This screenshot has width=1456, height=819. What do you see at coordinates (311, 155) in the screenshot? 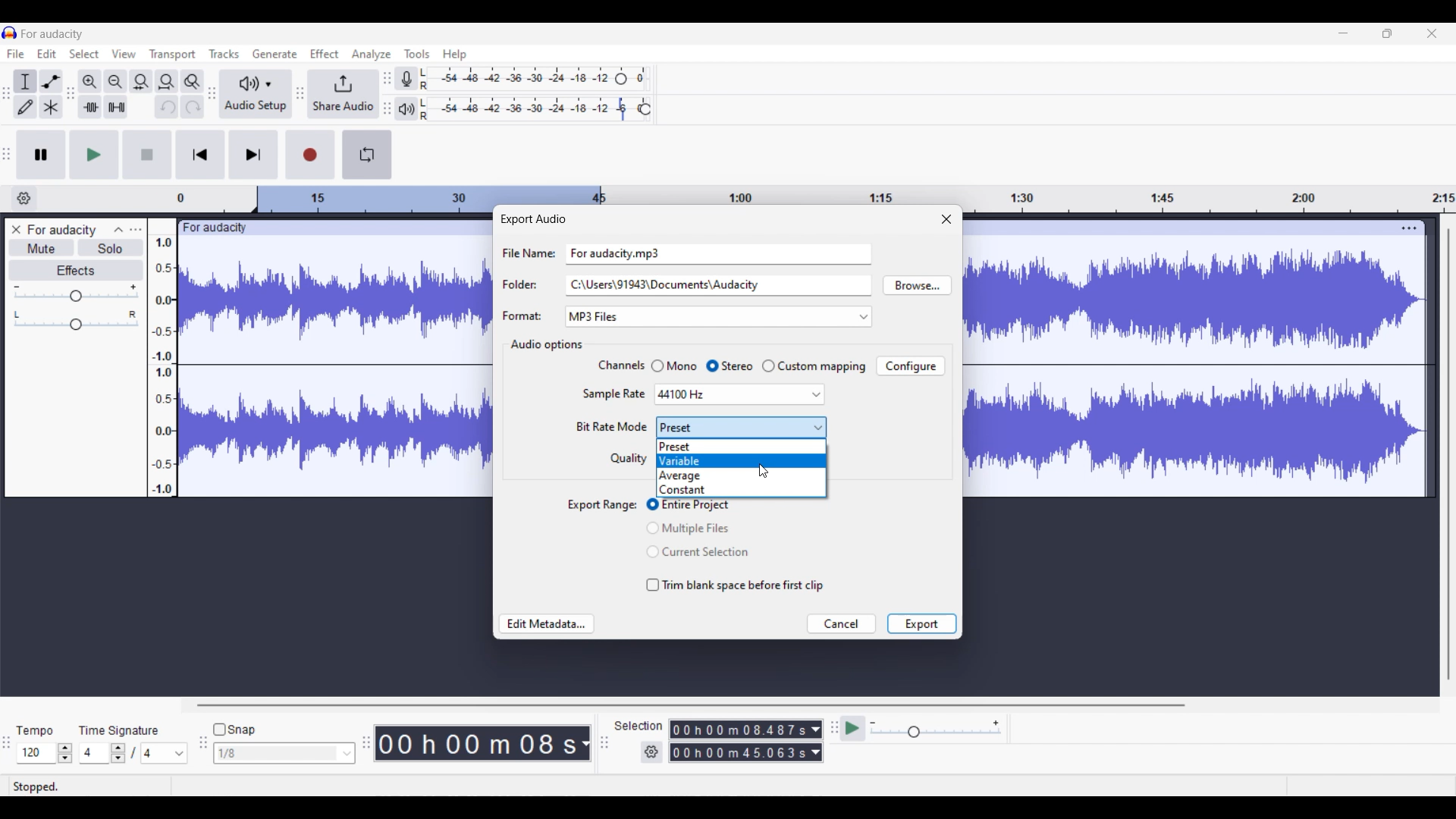
I see `Record/Record new track` at bounding box center [311, 155].